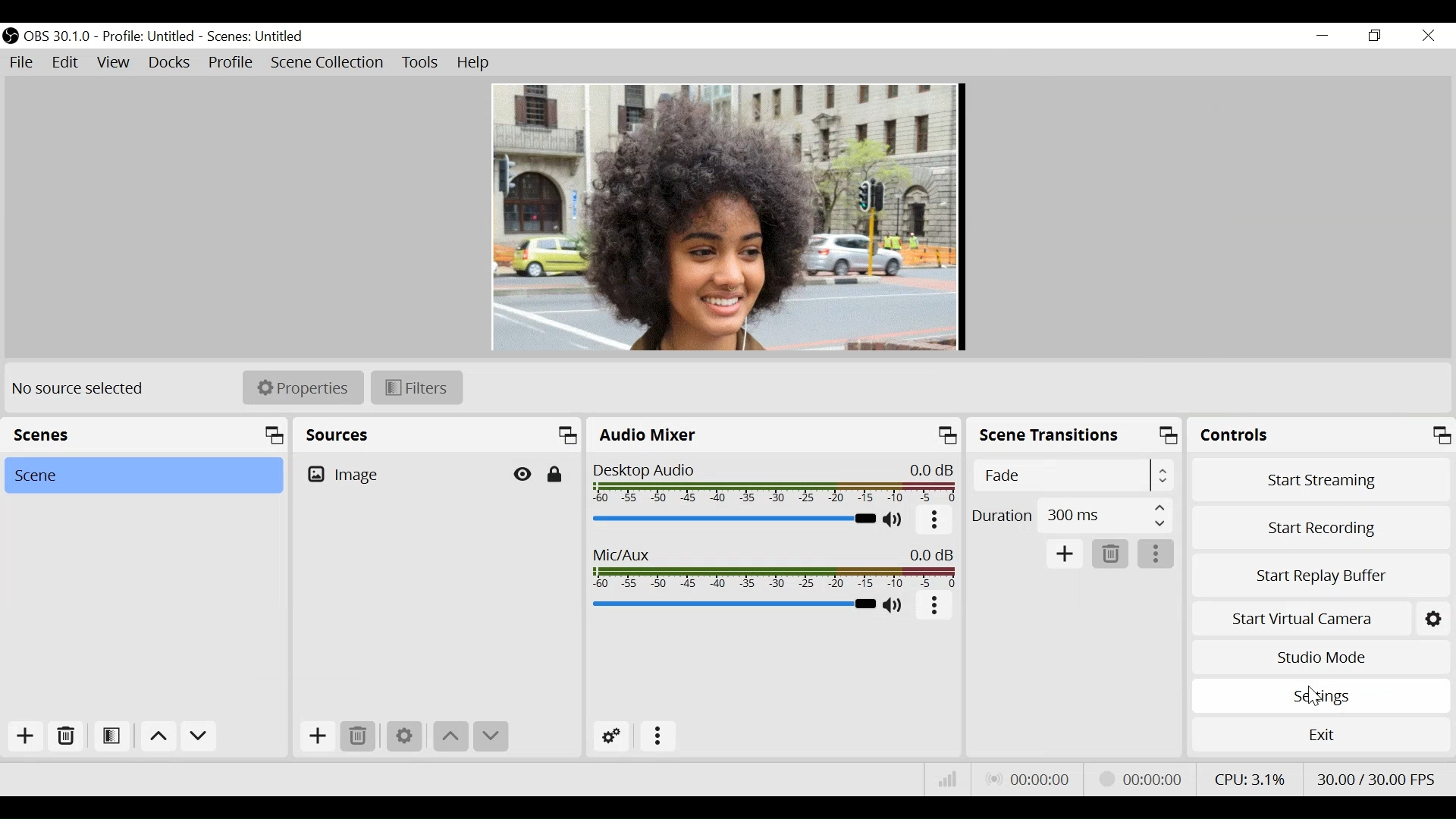 The width and height of the screenshot is (1456, 819). What do you see at coordinates (199, 738) in the screenshot?
I see `Move down` at bounding box center [199, 738].